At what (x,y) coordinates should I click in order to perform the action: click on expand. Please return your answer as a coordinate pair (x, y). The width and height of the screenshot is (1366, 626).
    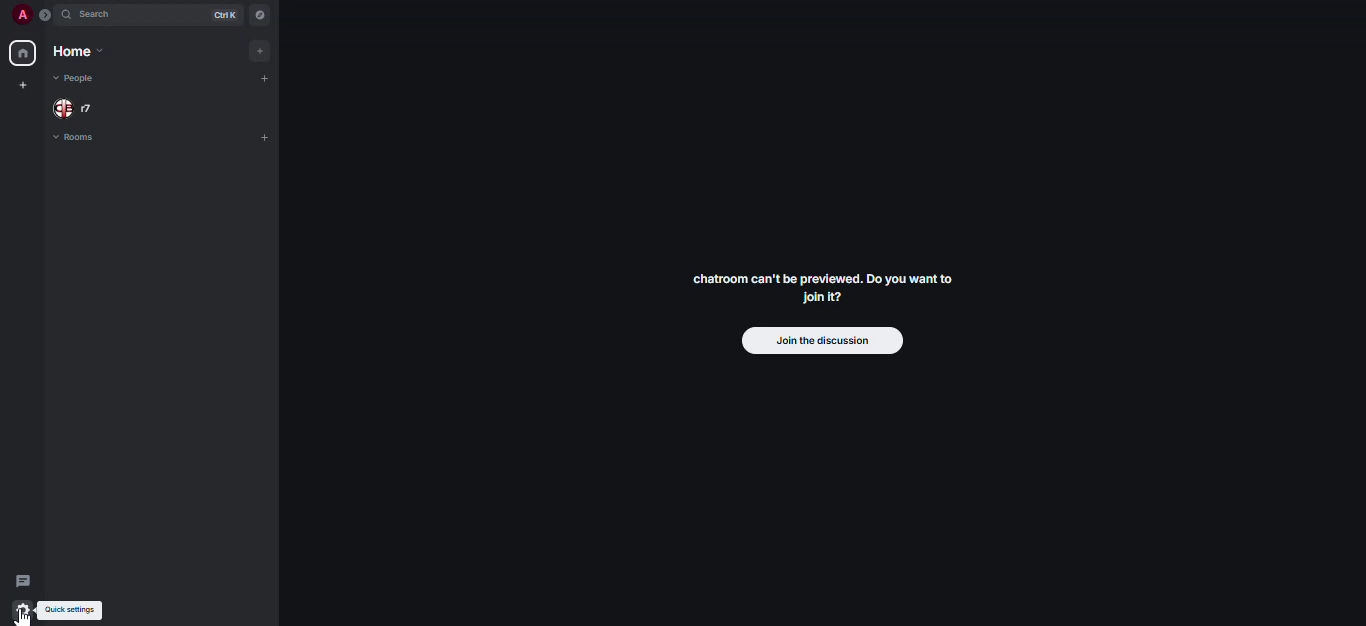
    Looking at the image, I should click on (46, 13).